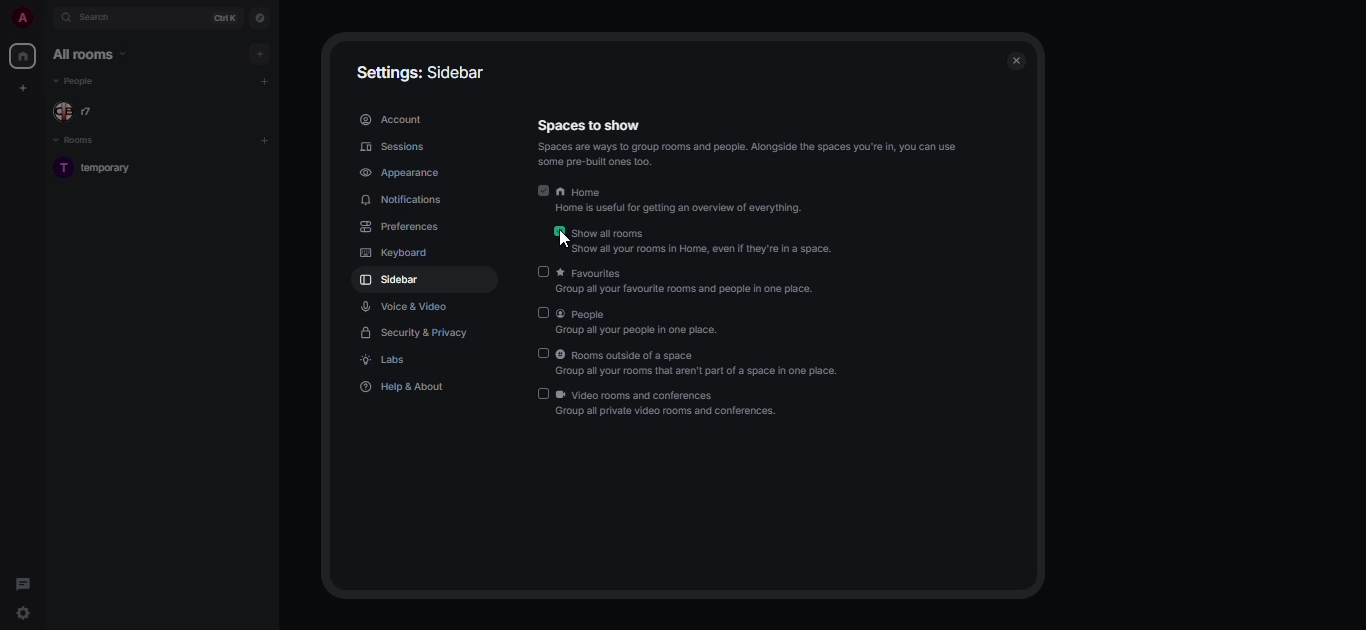 The height and width of the screenshot is (630, 1366). Describe the element at coordinates (543, 190) in the screenshot. I see `enabled` at that location.